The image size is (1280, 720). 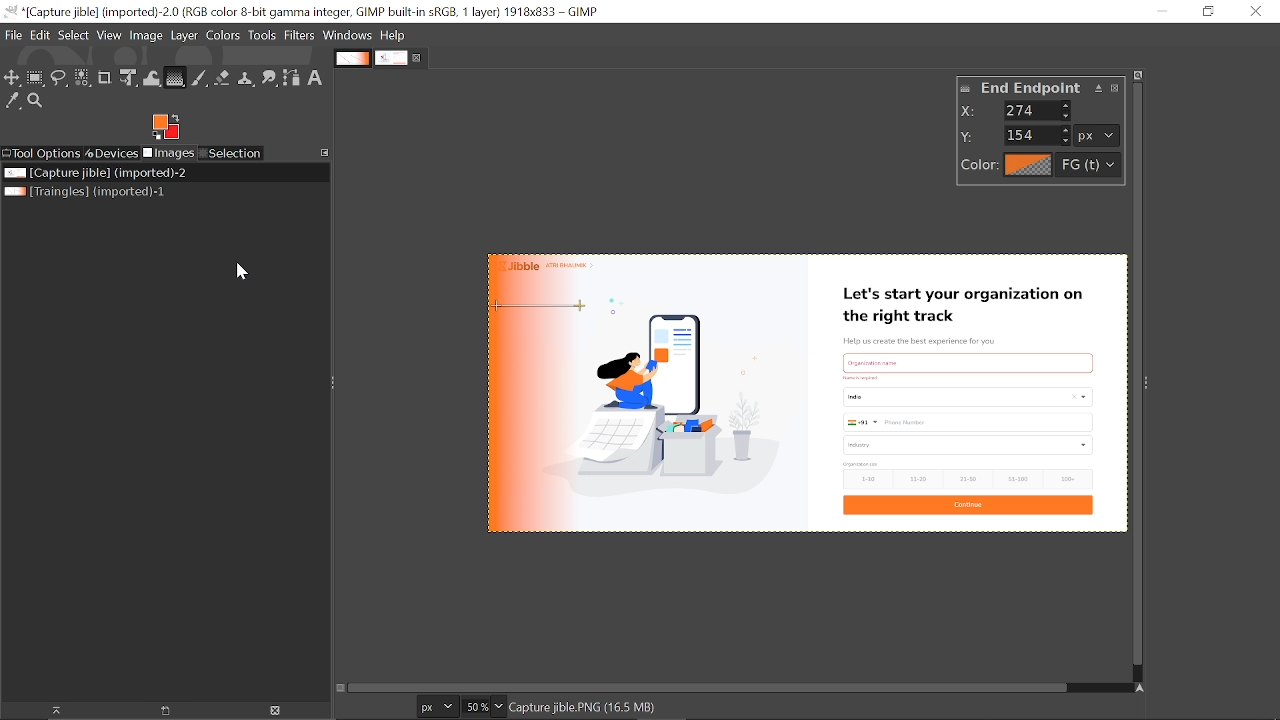 I want to click on Free select tool, so click(x=60, y=79).